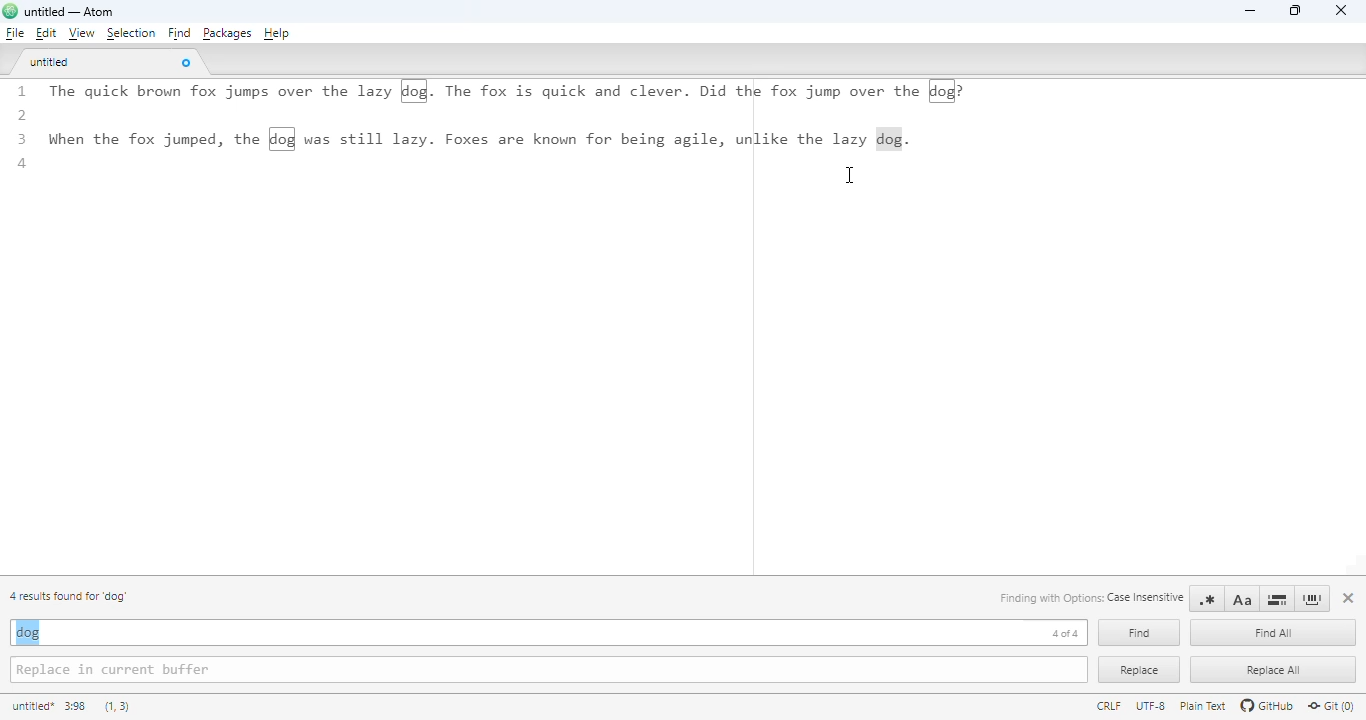 The height and width of the screenshot is (720, 1366). What do you see at coordinates (52, 63) in the screenshot?
I see `untitled` at bounding box center [52, 63].